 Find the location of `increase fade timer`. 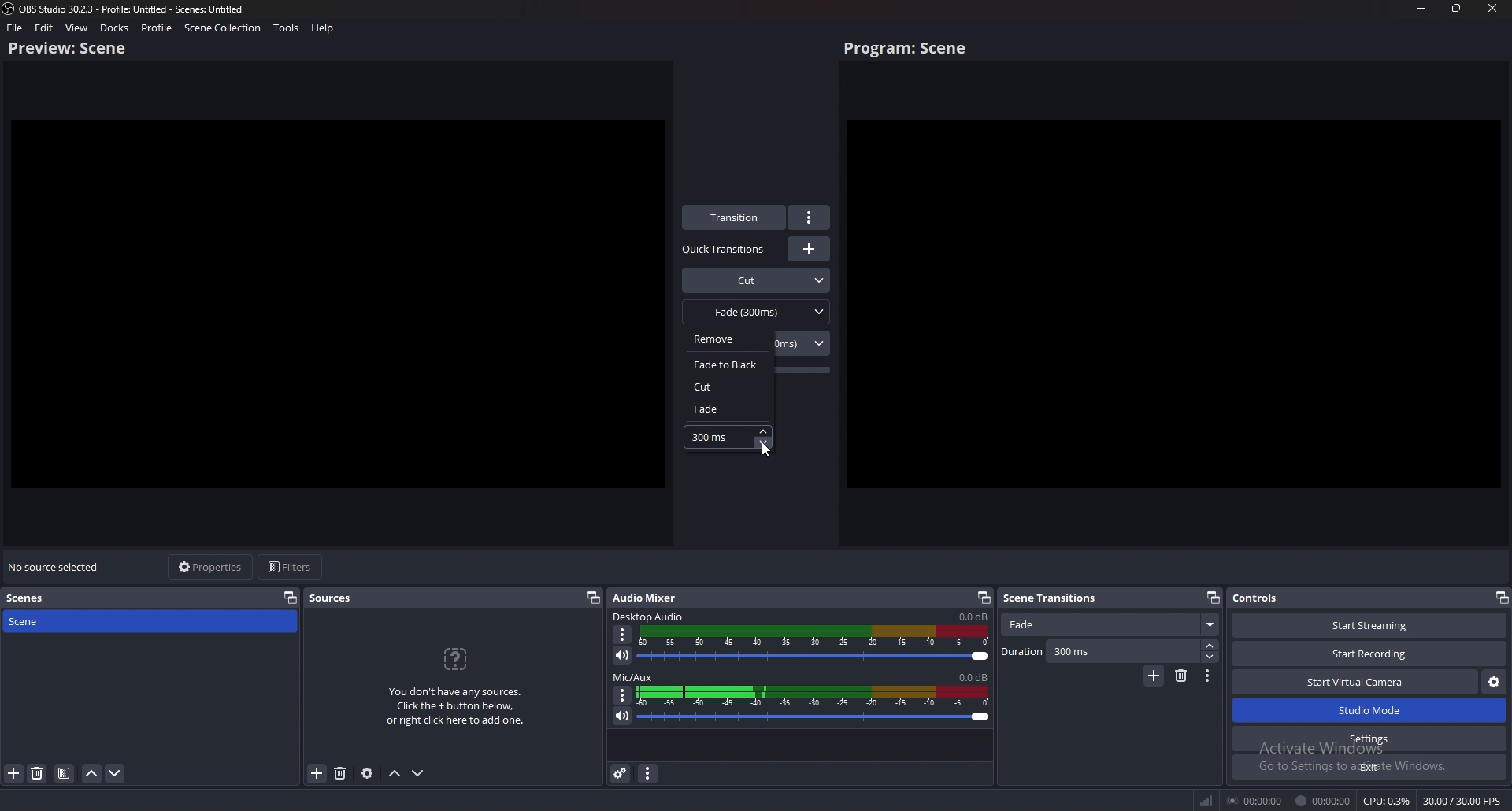

increase fade timer is located at coordinates (763, 432).